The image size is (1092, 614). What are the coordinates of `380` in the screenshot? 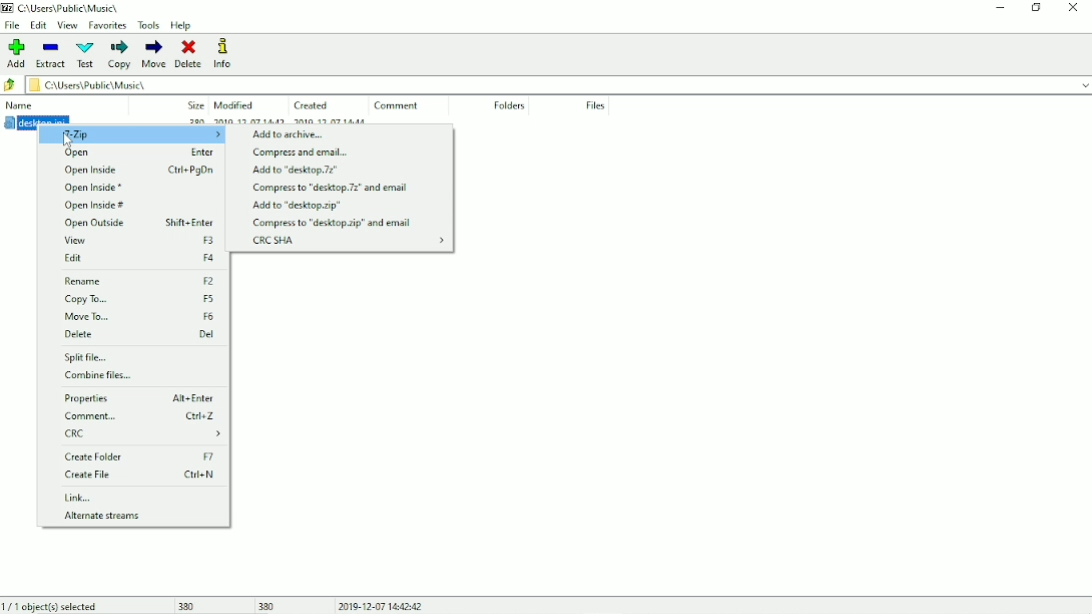 It's located at (268, 605).